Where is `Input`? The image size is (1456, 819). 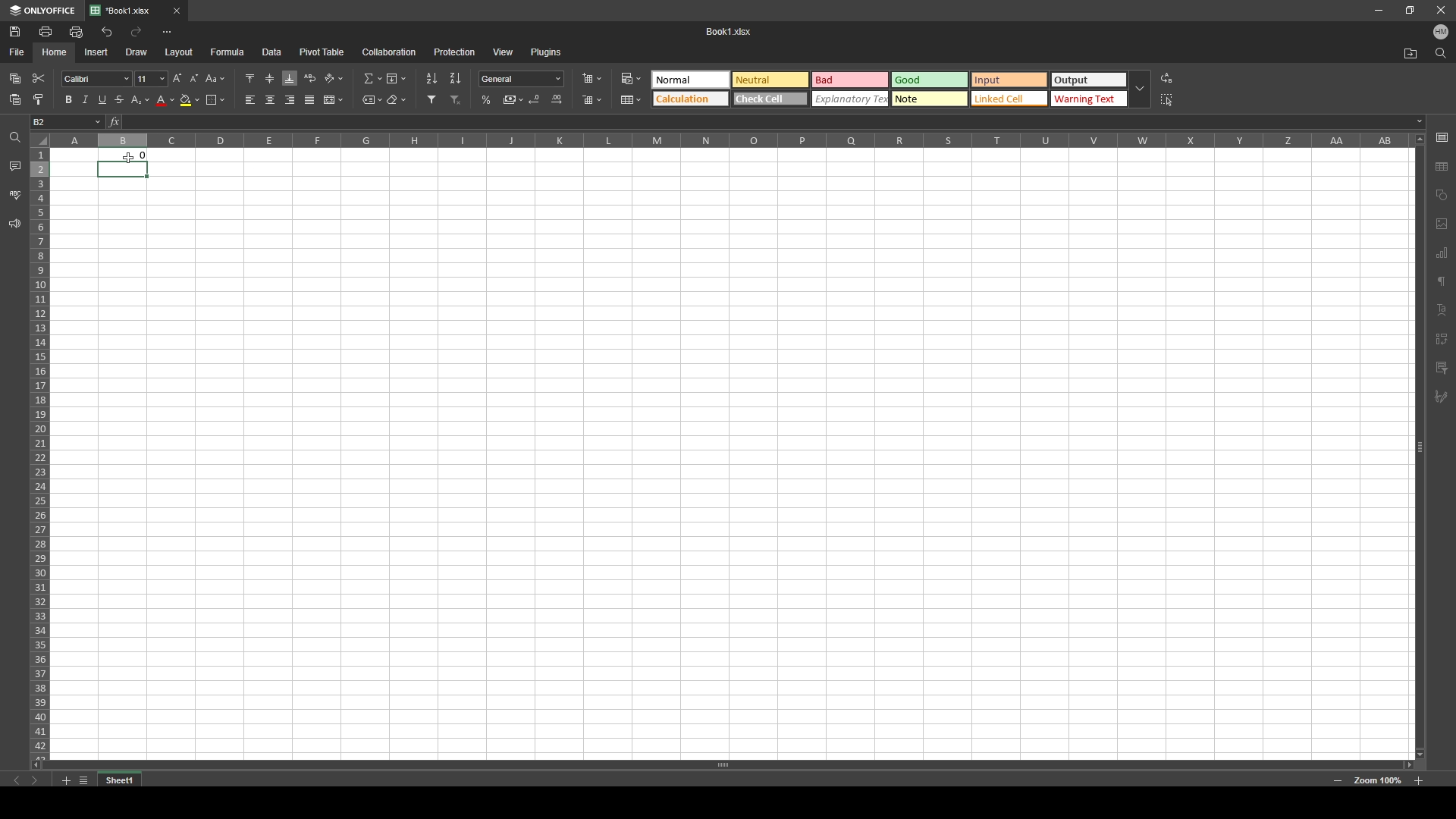 Input is located at coordinates (1011, 80).